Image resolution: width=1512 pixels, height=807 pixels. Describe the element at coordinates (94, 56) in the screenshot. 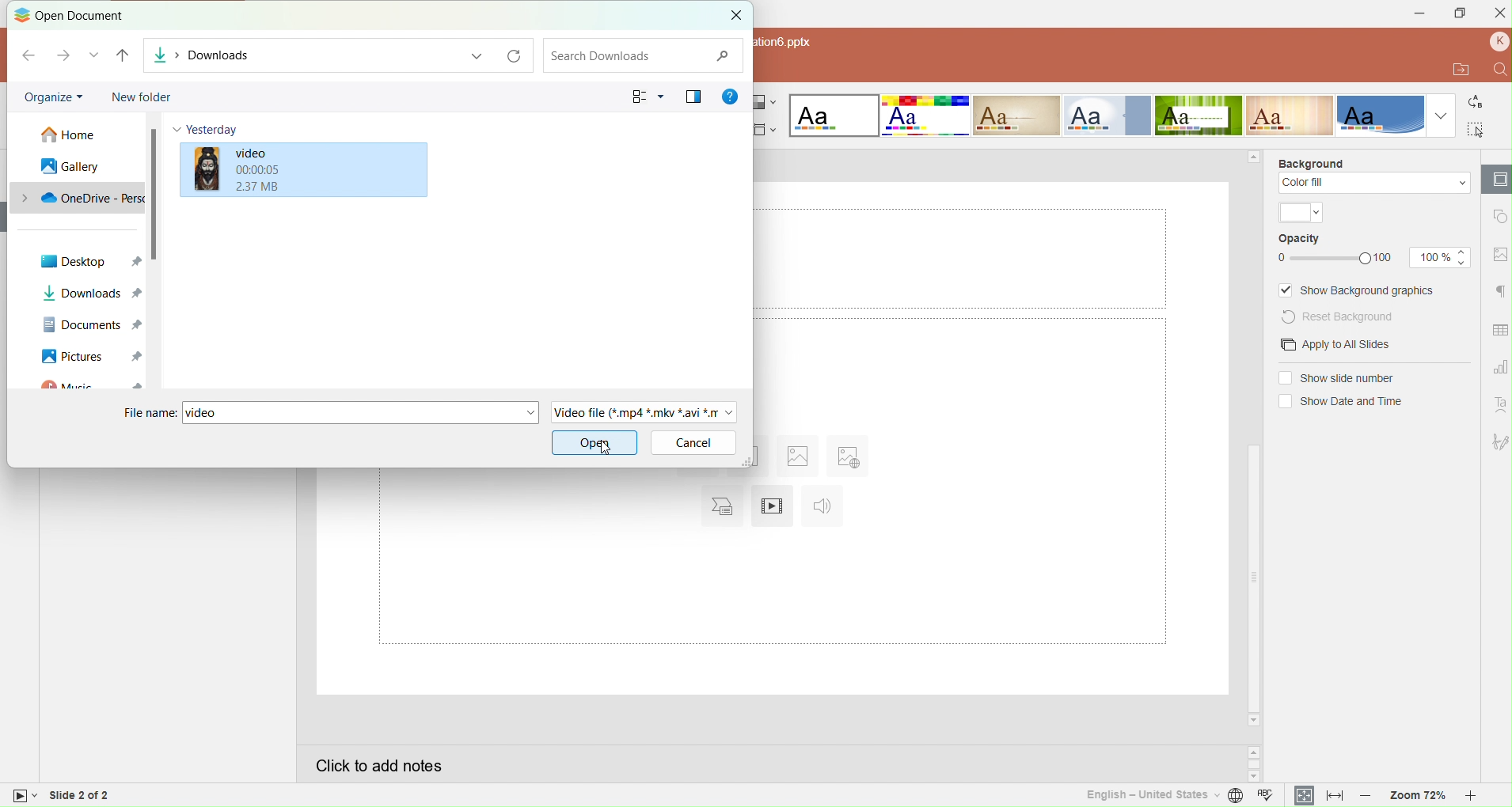

I see `Recent locations` at that location.